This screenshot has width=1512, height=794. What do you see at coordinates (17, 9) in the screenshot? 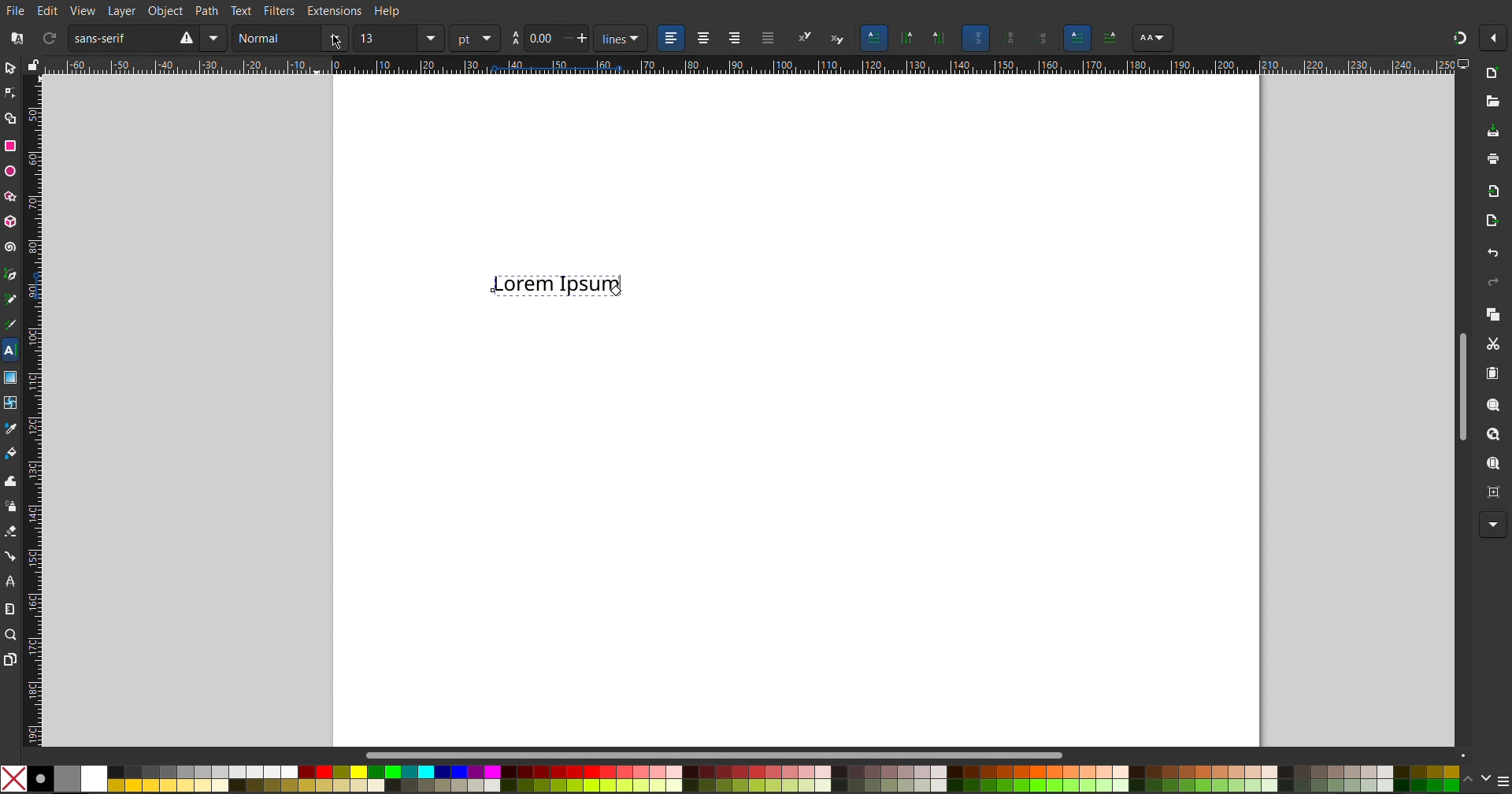
I see `File` at bounding box center [17, 9].